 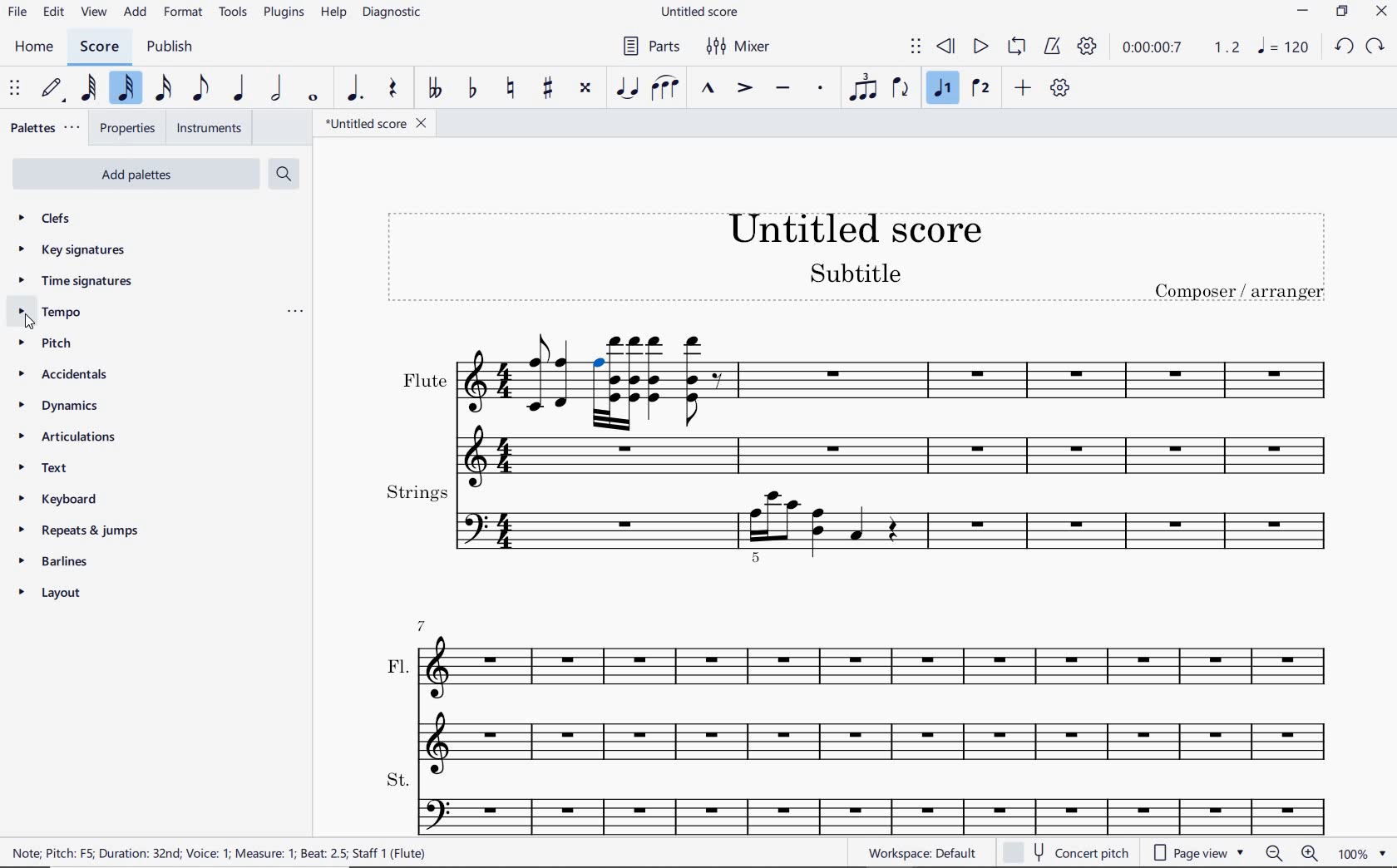 I want to click on articulations, so click(x=77, y=437).